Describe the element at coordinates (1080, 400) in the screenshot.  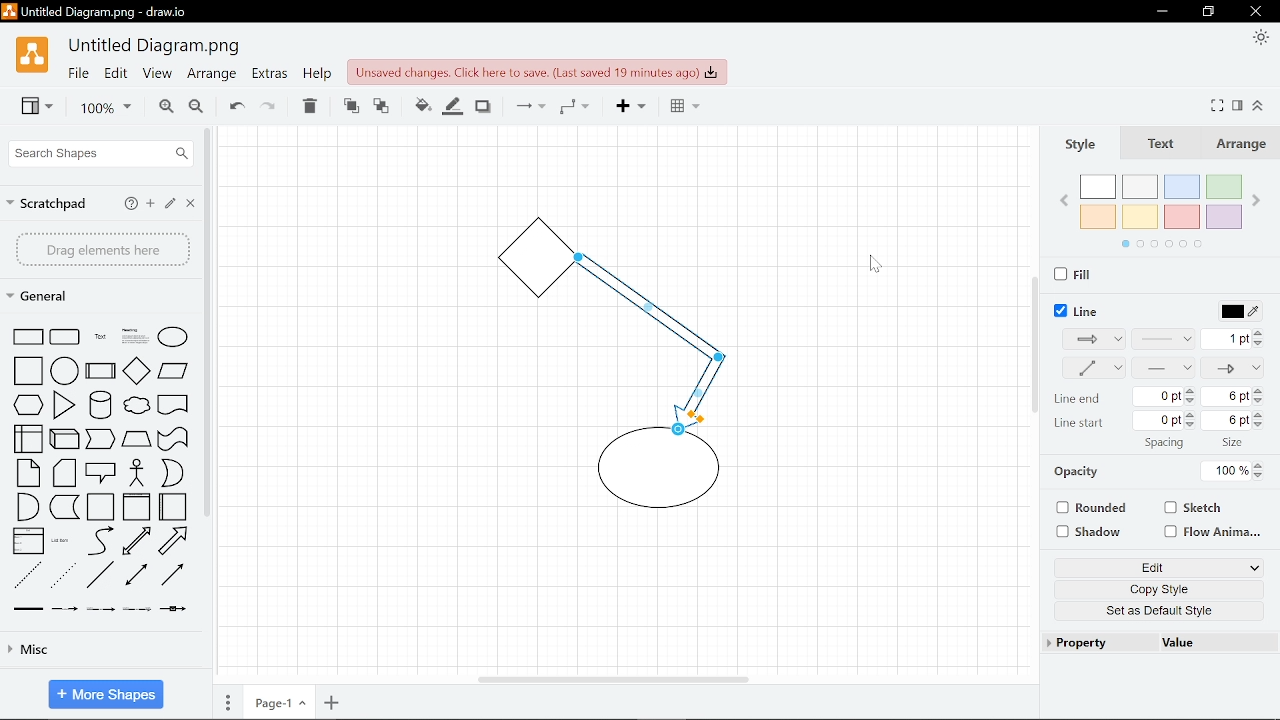
I see `Line end` at that location.